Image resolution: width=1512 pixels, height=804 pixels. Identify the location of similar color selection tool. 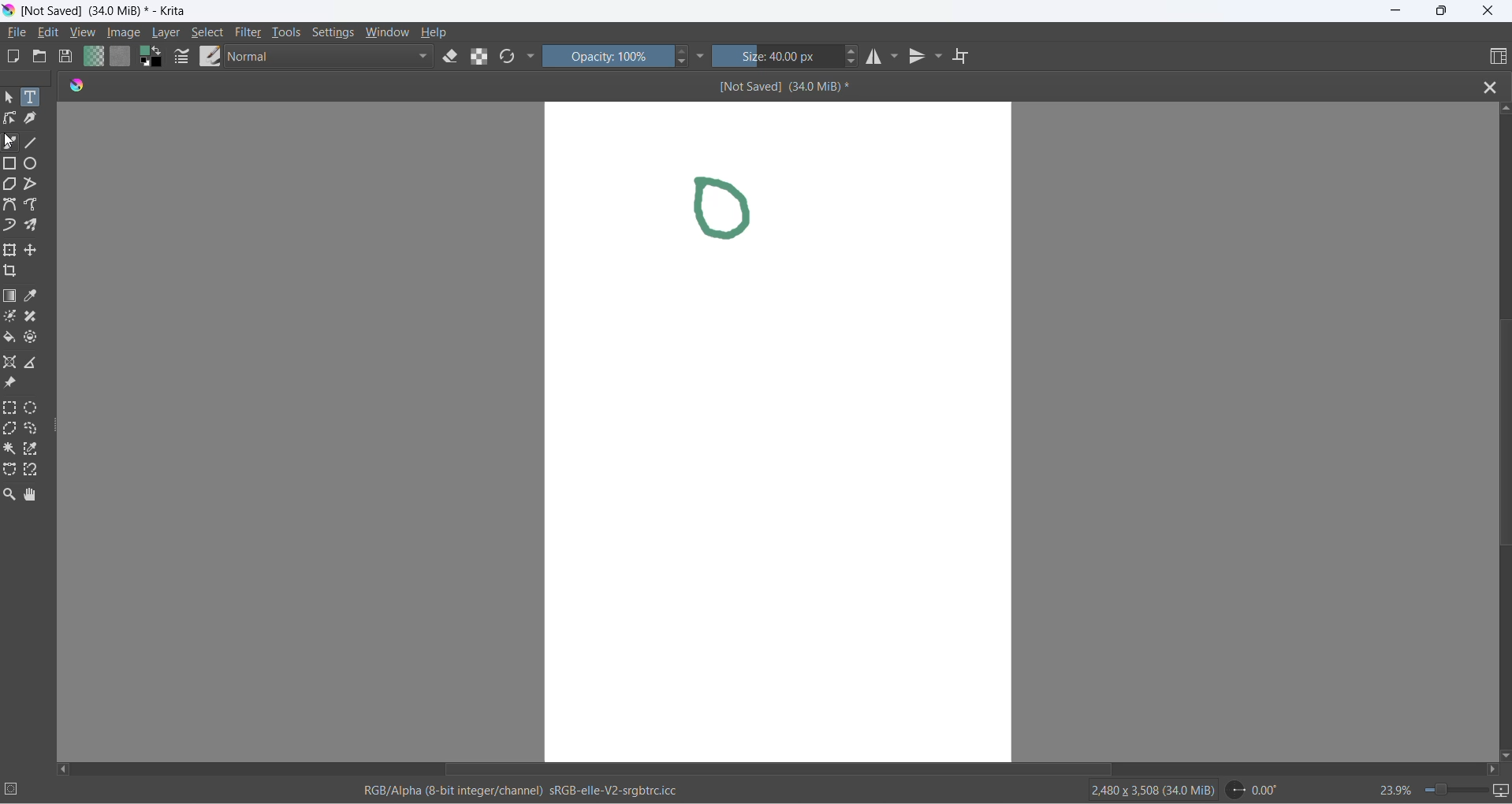
(36, 449).